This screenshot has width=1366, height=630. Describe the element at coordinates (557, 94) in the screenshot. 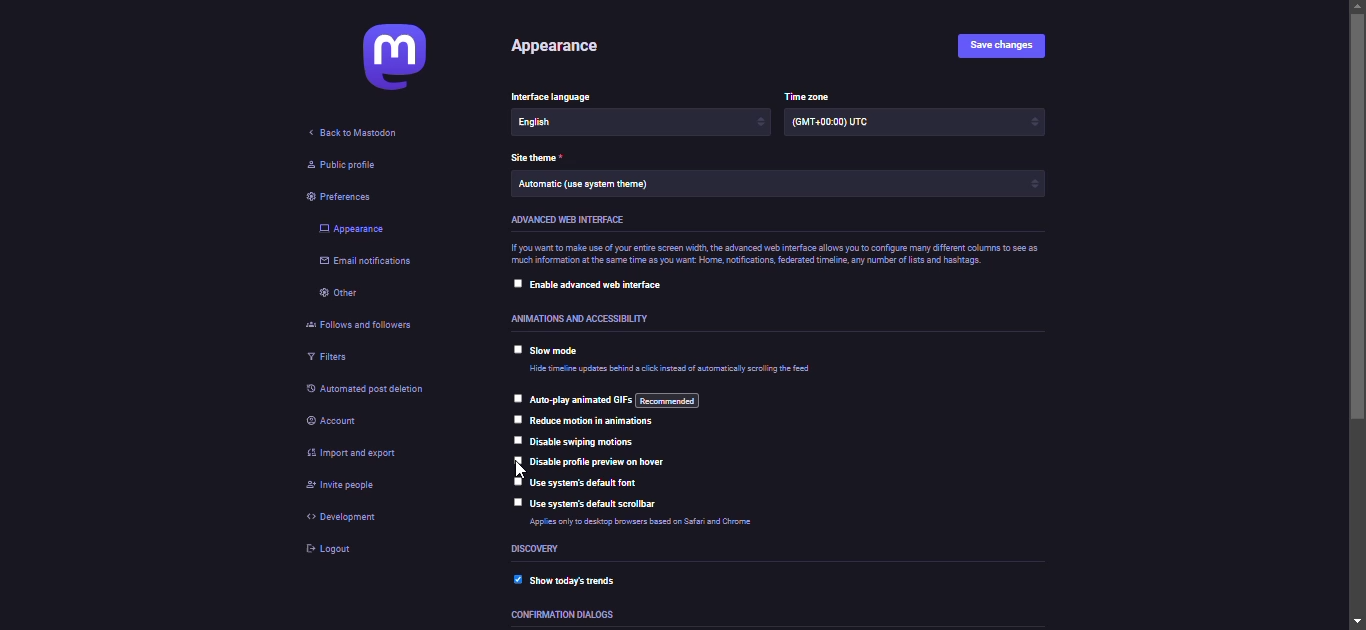

I see `language` at that location.